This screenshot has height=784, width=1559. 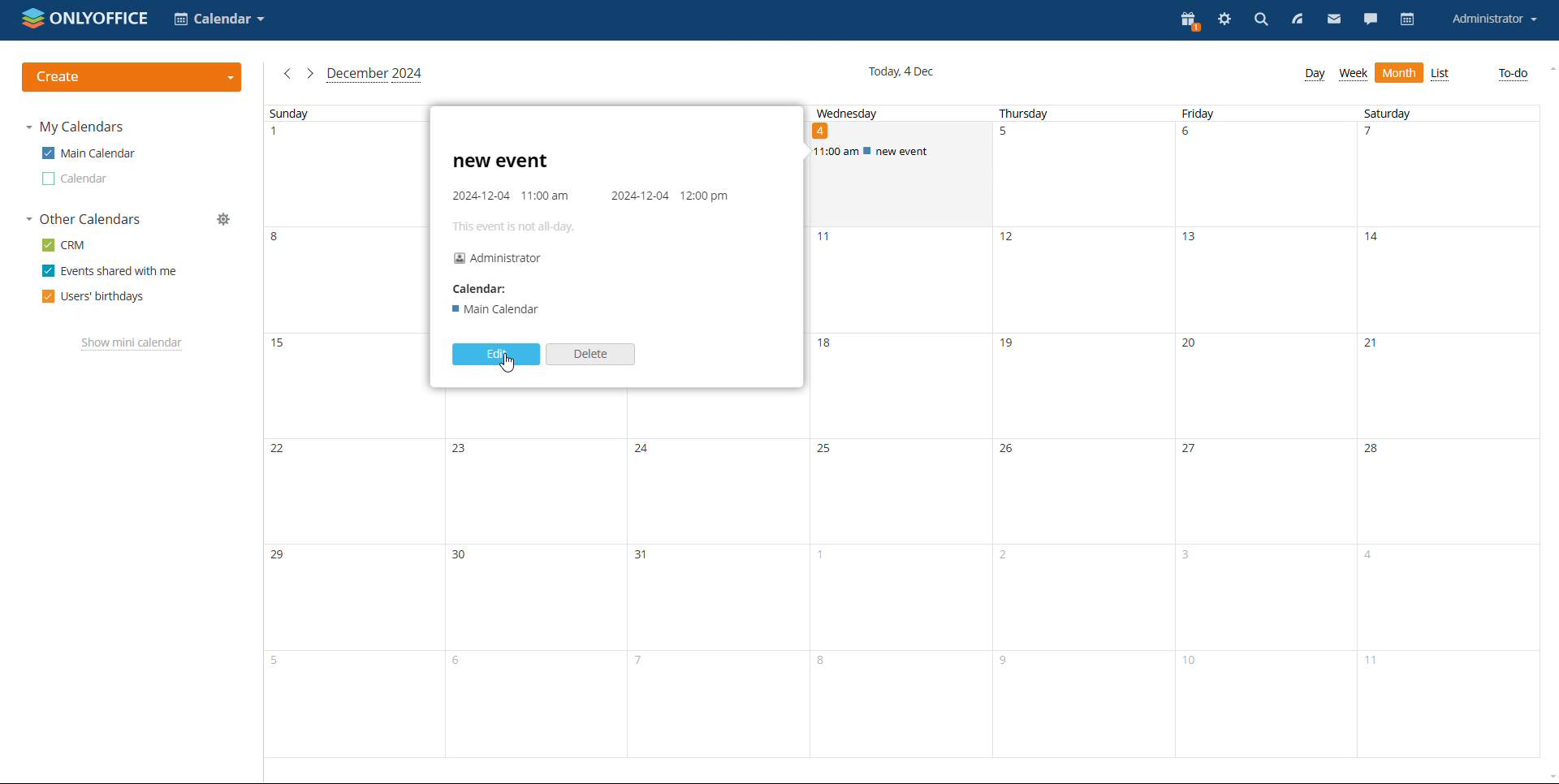 I want to click on tuesday, so click(x=714, y=578).